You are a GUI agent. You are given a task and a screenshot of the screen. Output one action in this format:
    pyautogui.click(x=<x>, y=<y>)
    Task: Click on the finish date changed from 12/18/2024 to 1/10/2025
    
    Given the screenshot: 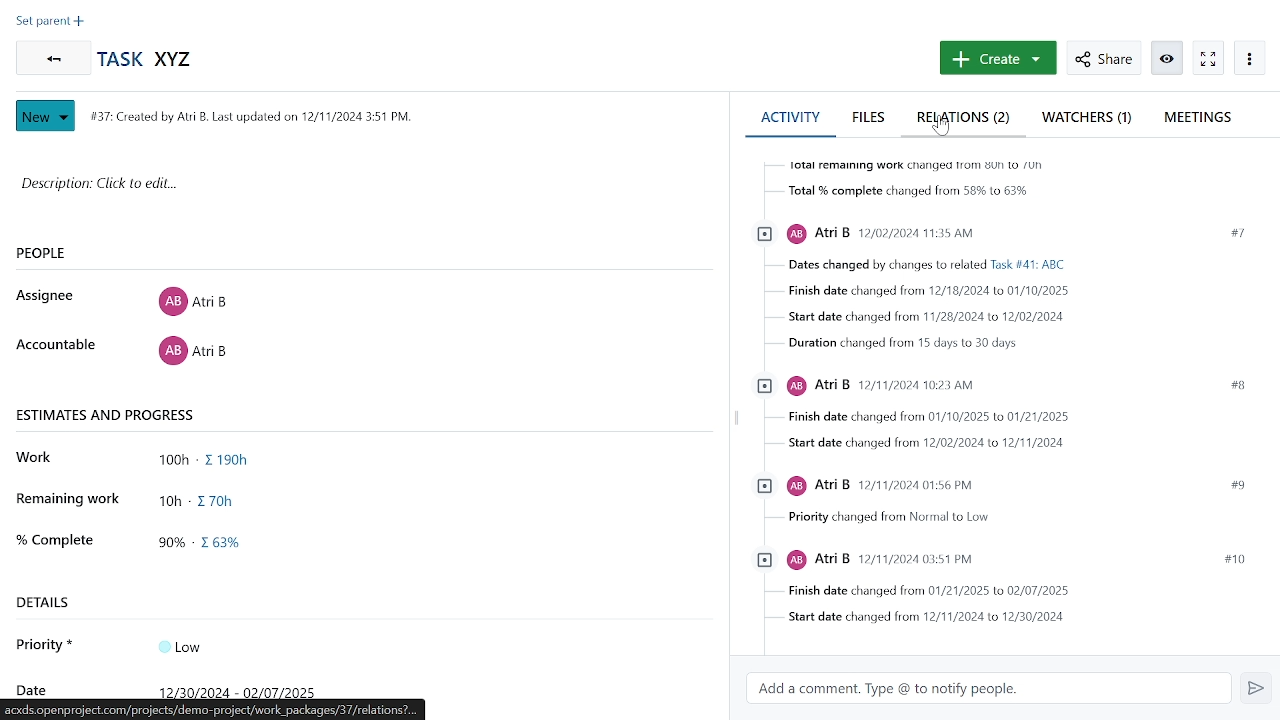 What is the action you would take?
    pyautogui.click(x=917, y=292)
    